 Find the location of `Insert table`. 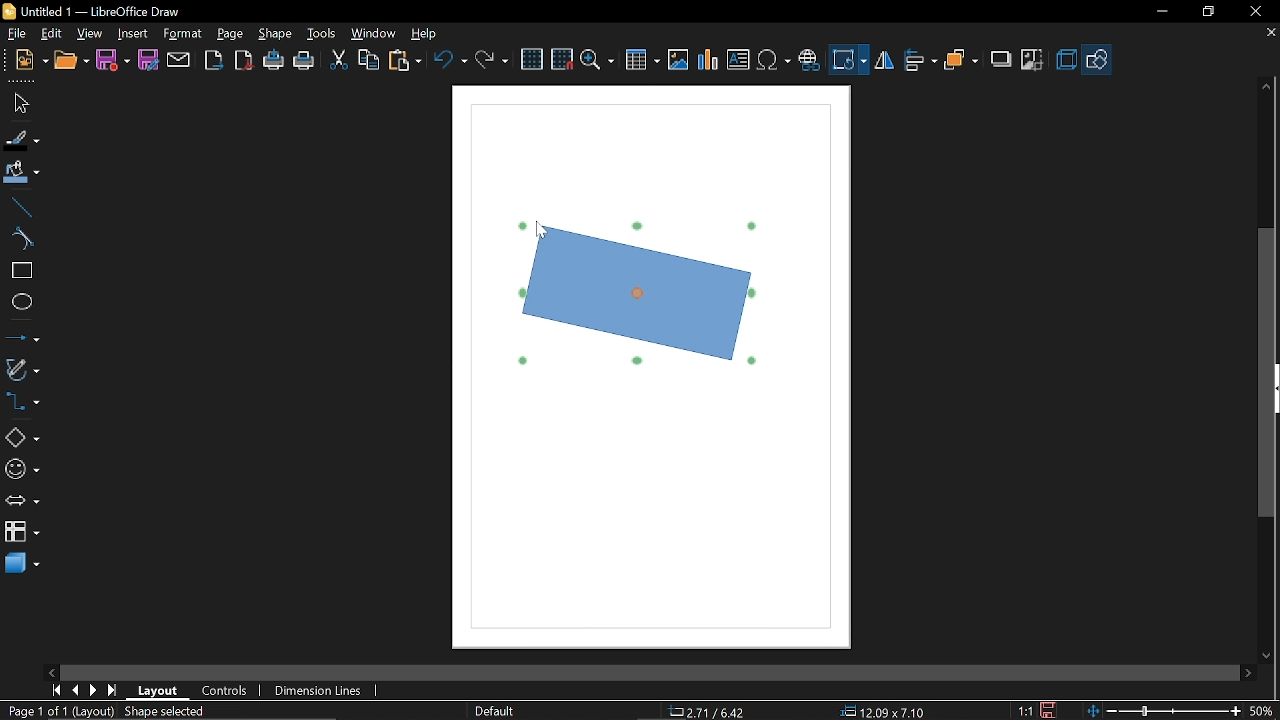

Insert table is located at coordinates (643, 61).